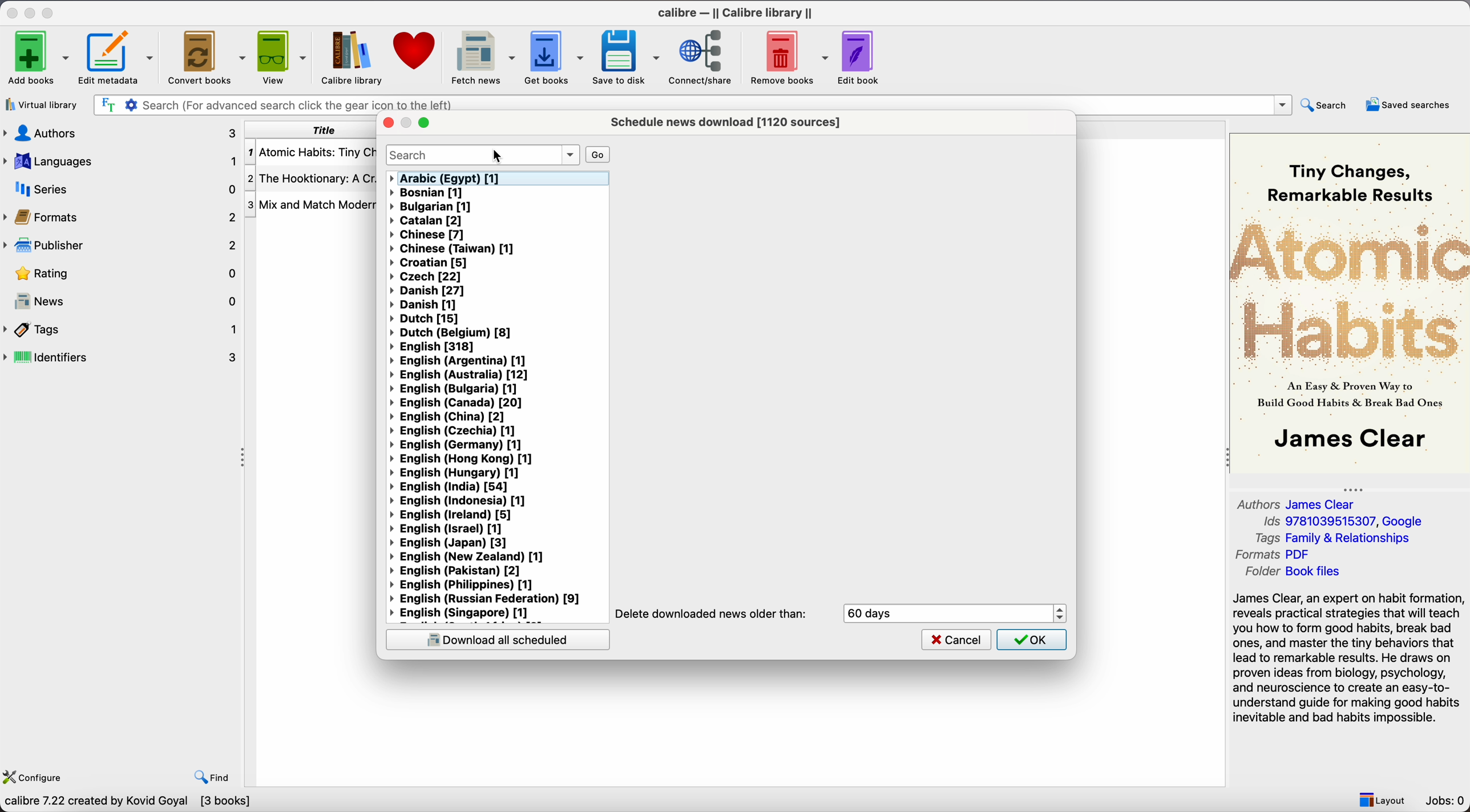  I want to click on English (Czechia) [1], so click(453, 431).